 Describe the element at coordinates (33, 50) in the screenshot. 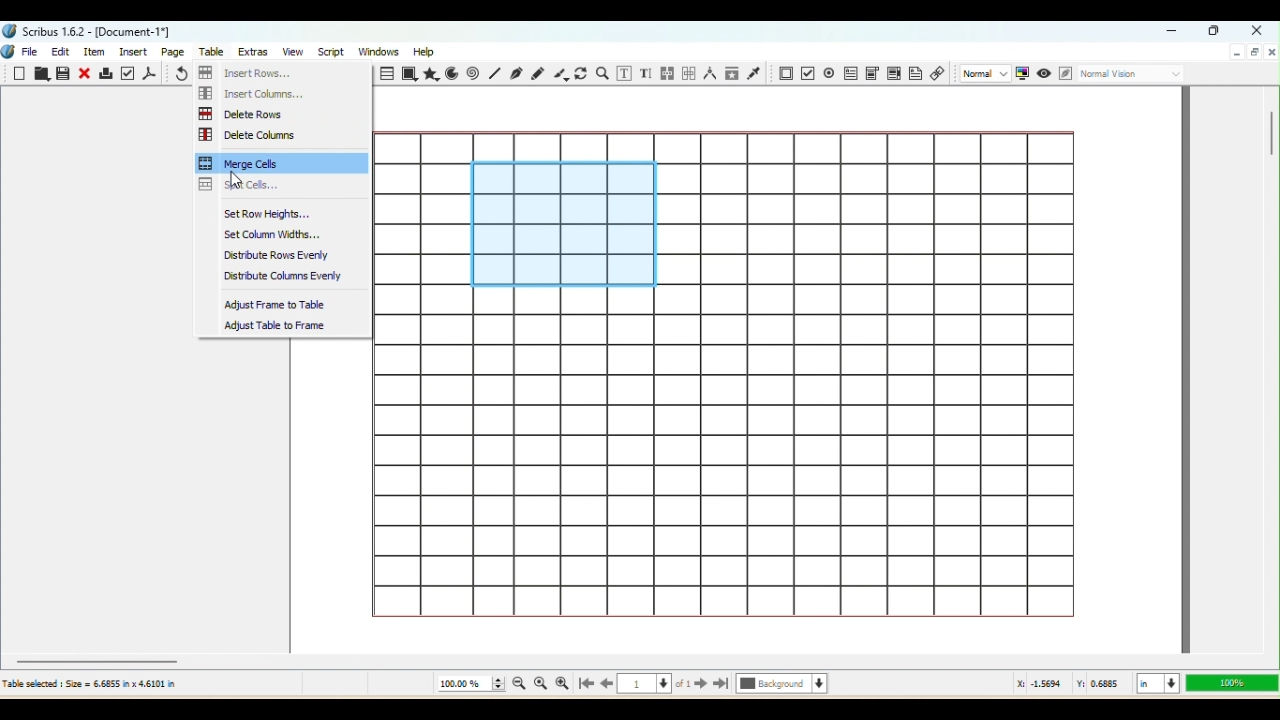

I see `File` at that location.